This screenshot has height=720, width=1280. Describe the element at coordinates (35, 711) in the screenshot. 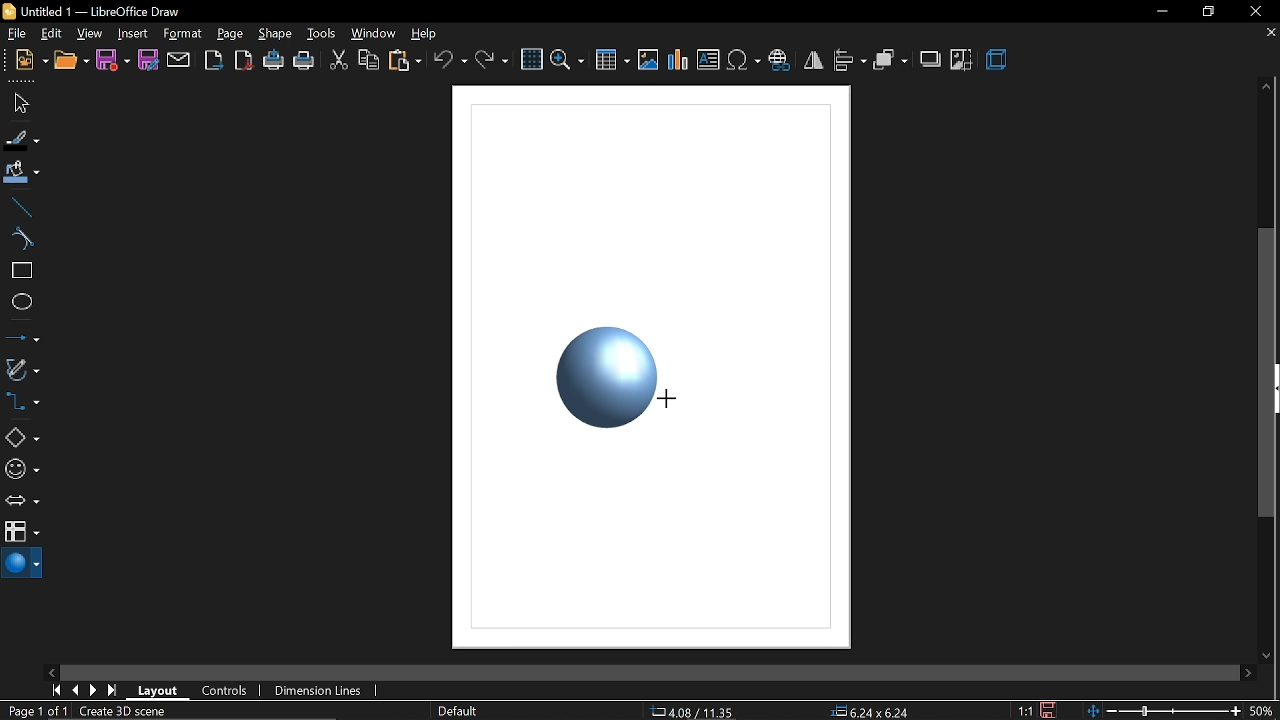

I see `Page 1 of 1` at that location.